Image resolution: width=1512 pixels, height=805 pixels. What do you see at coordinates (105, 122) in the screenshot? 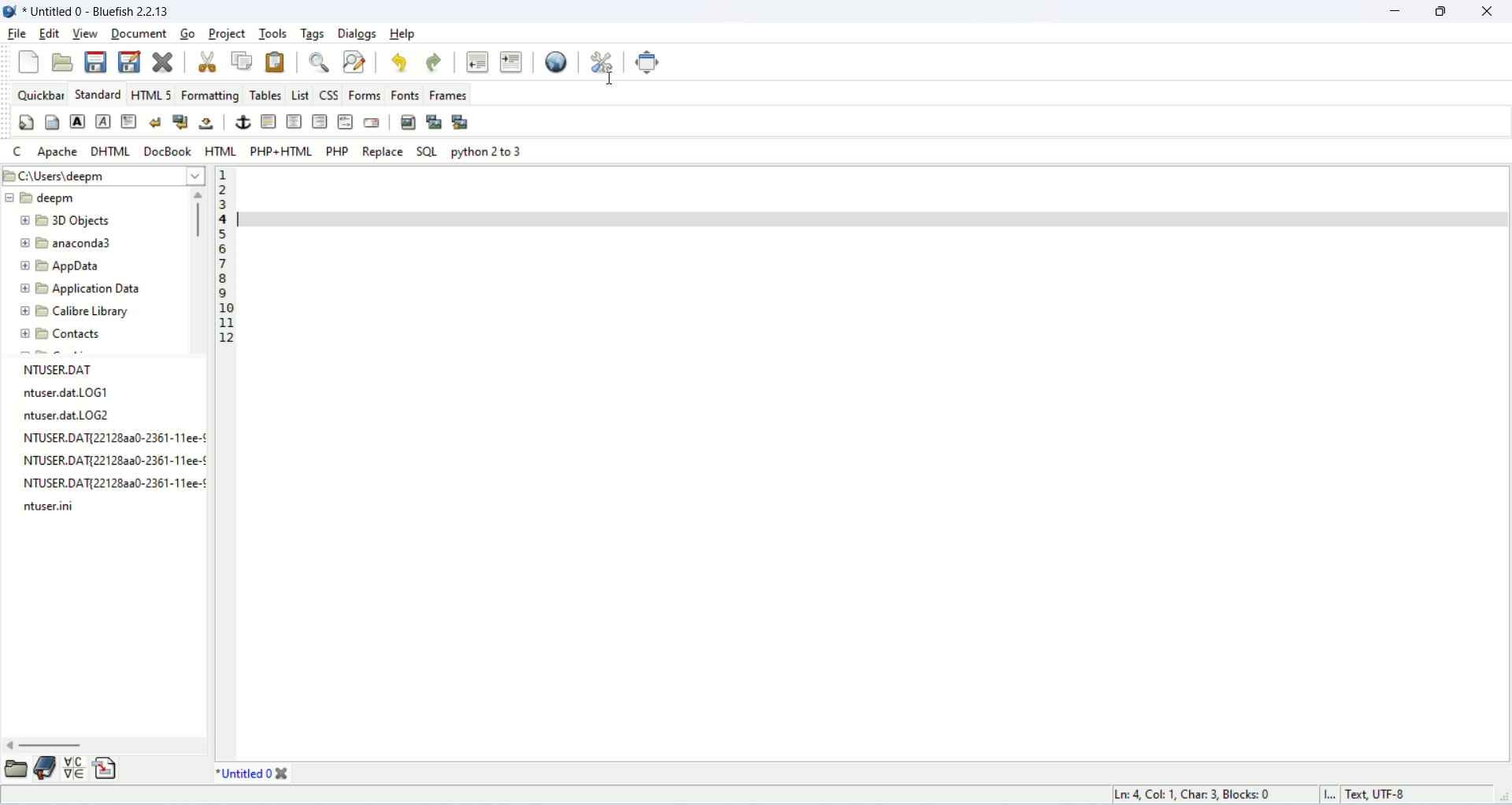
I see `emphasis` at bounding box center [105, 122].